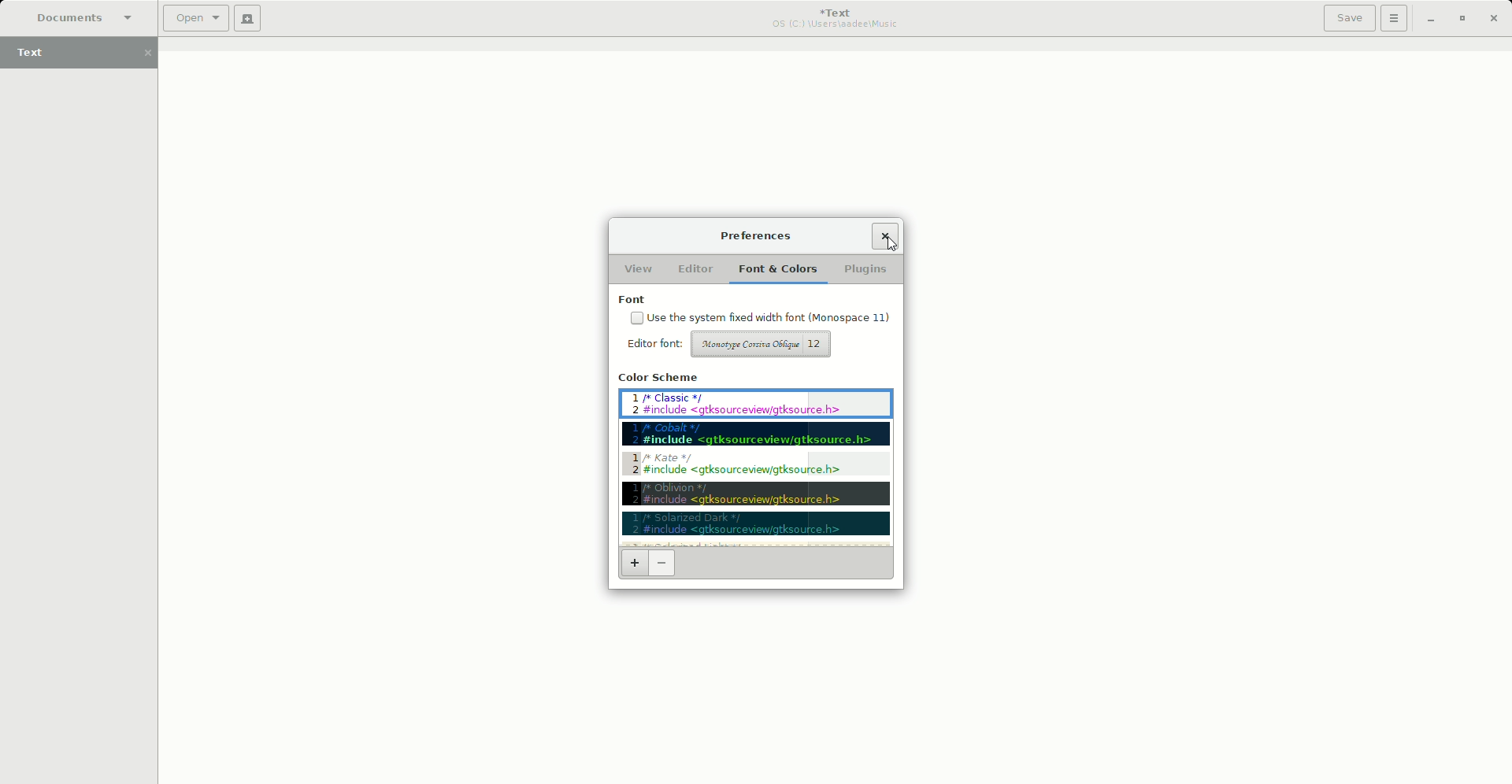 The image size is (1512, 784). Describe the element at coordinates (757, 456) in the screenshot. I see `color scheme select` at that location.